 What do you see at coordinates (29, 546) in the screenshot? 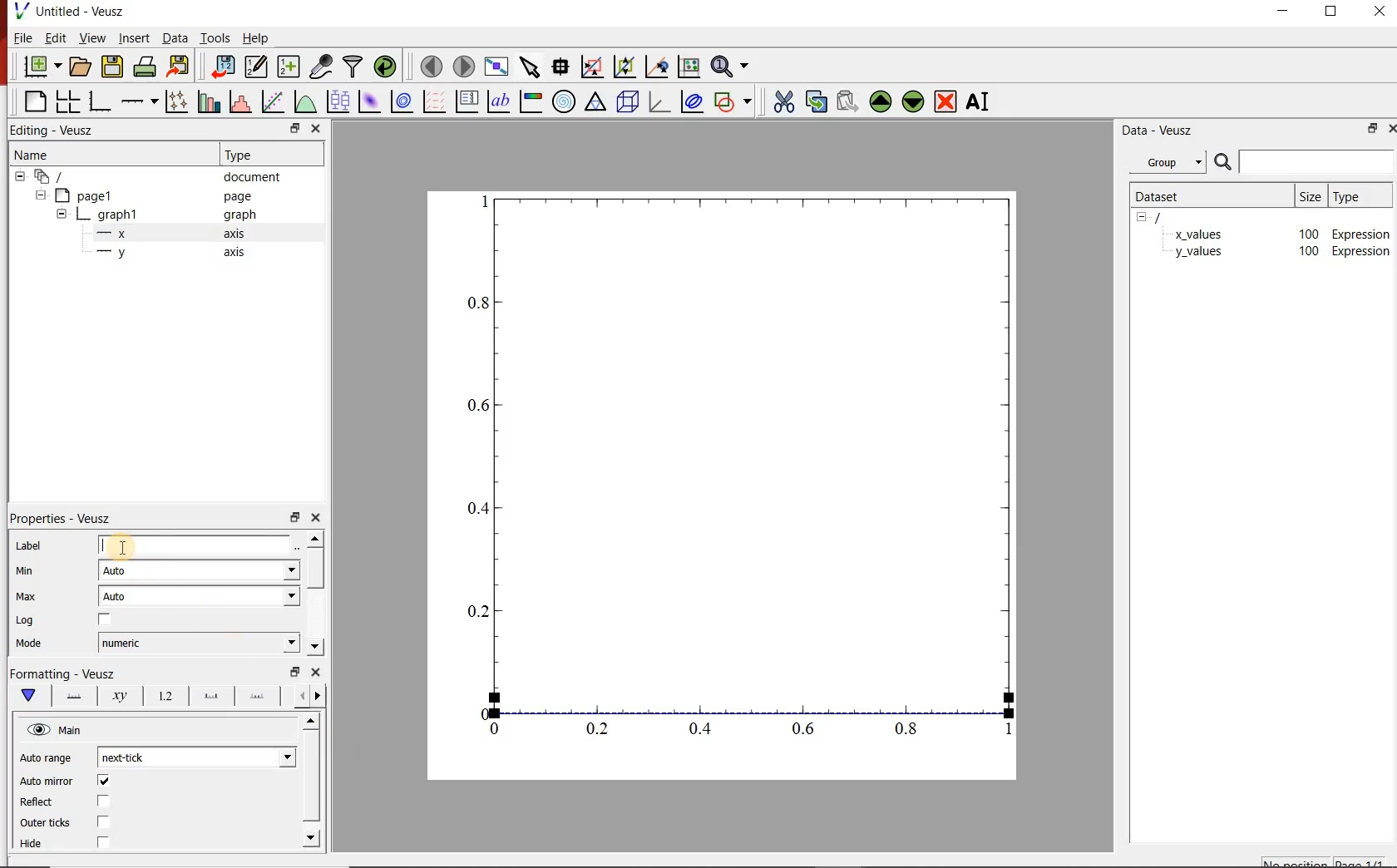
I see `Label` at bounding box center [29, 546].